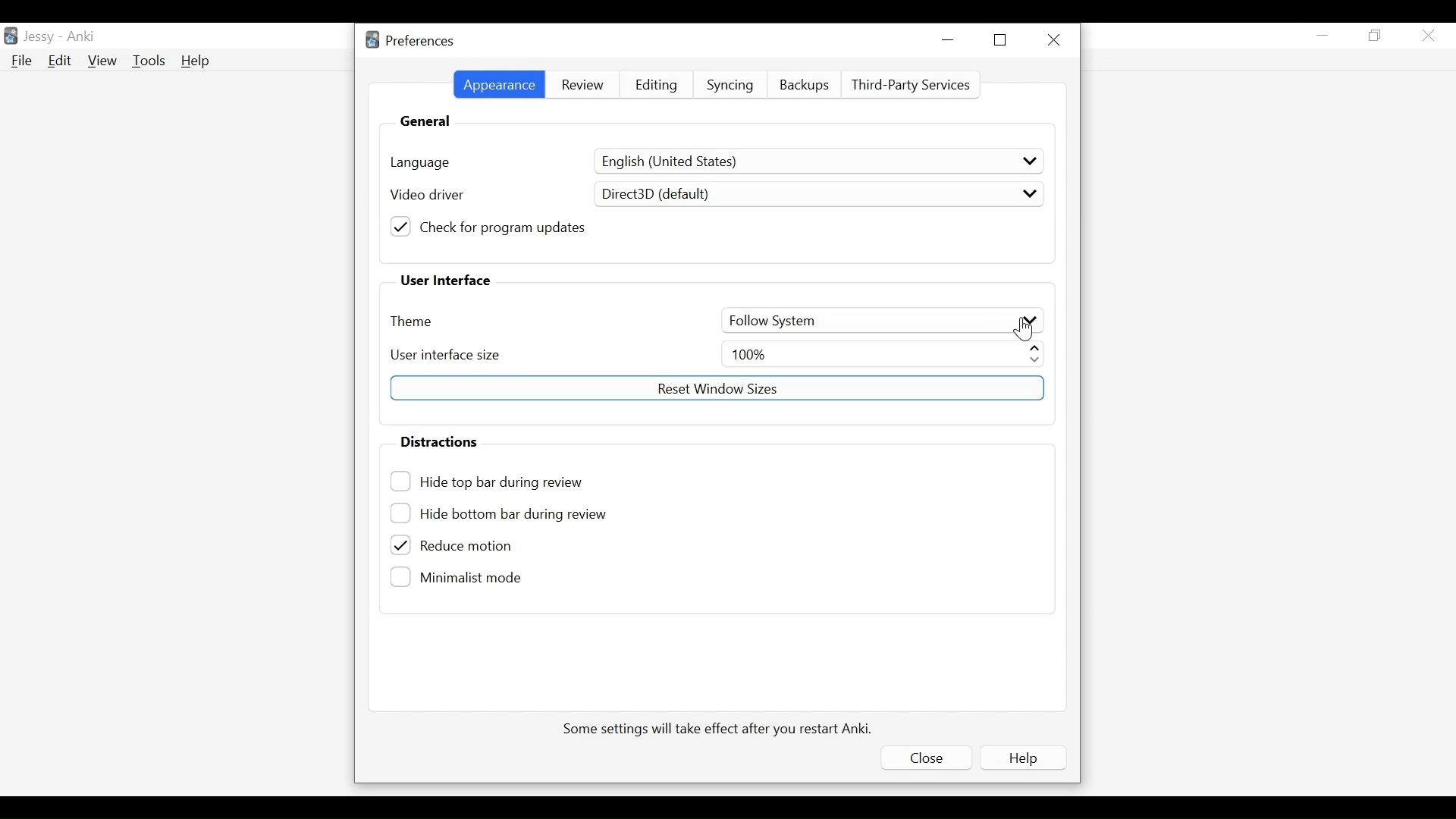 Image resolution: width=1456 pixels, height=819 pixels. Describe the element at coordinates (444, 281) in the screenshot. I see `User Interface` at that location.